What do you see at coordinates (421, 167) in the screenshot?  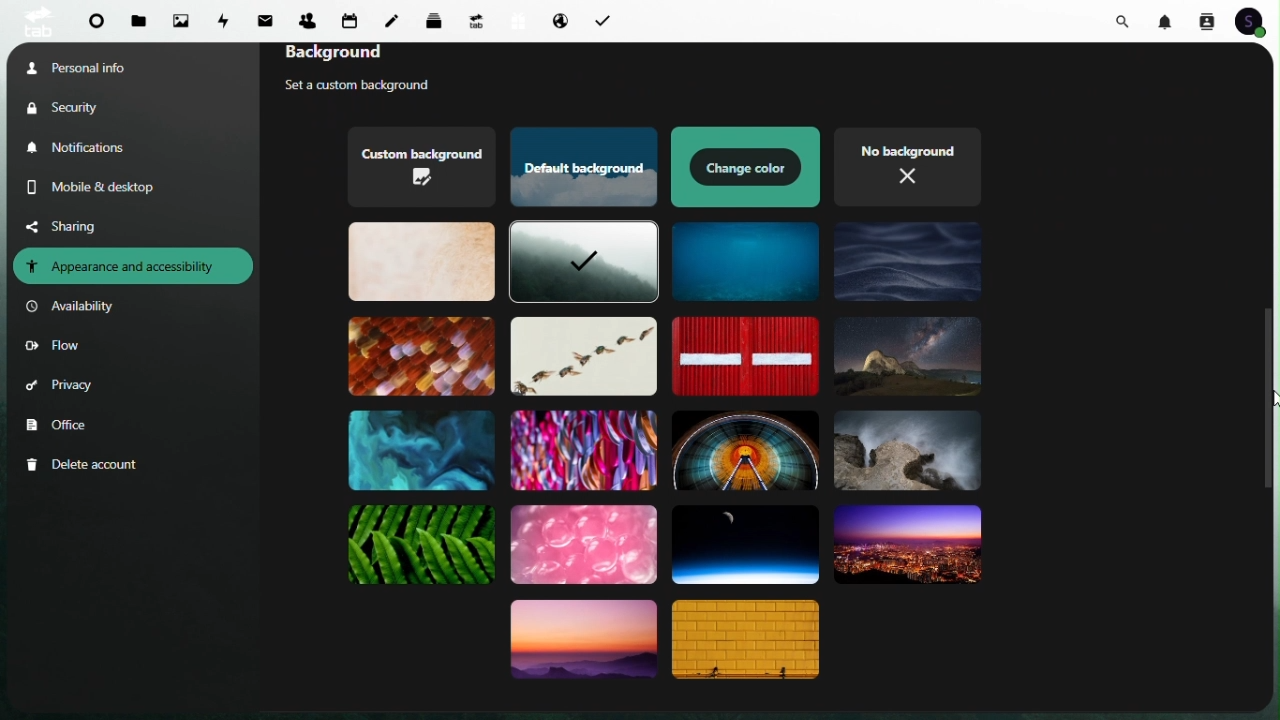 I see `Themes` at bounding box center [421, 167].